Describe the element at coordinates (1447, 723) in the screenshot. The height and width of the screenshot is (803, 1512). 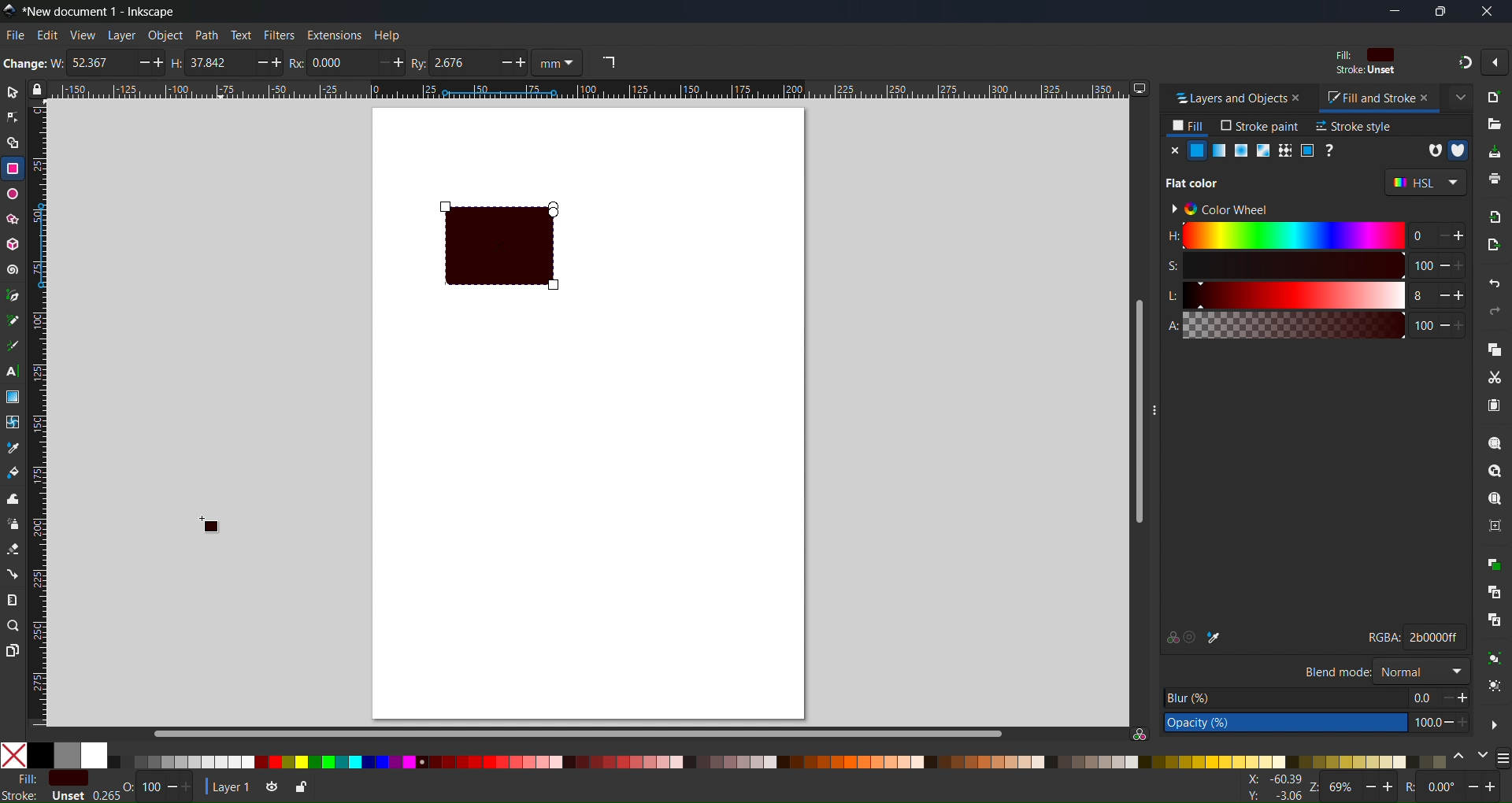
I see `decrease opacity` at that location.